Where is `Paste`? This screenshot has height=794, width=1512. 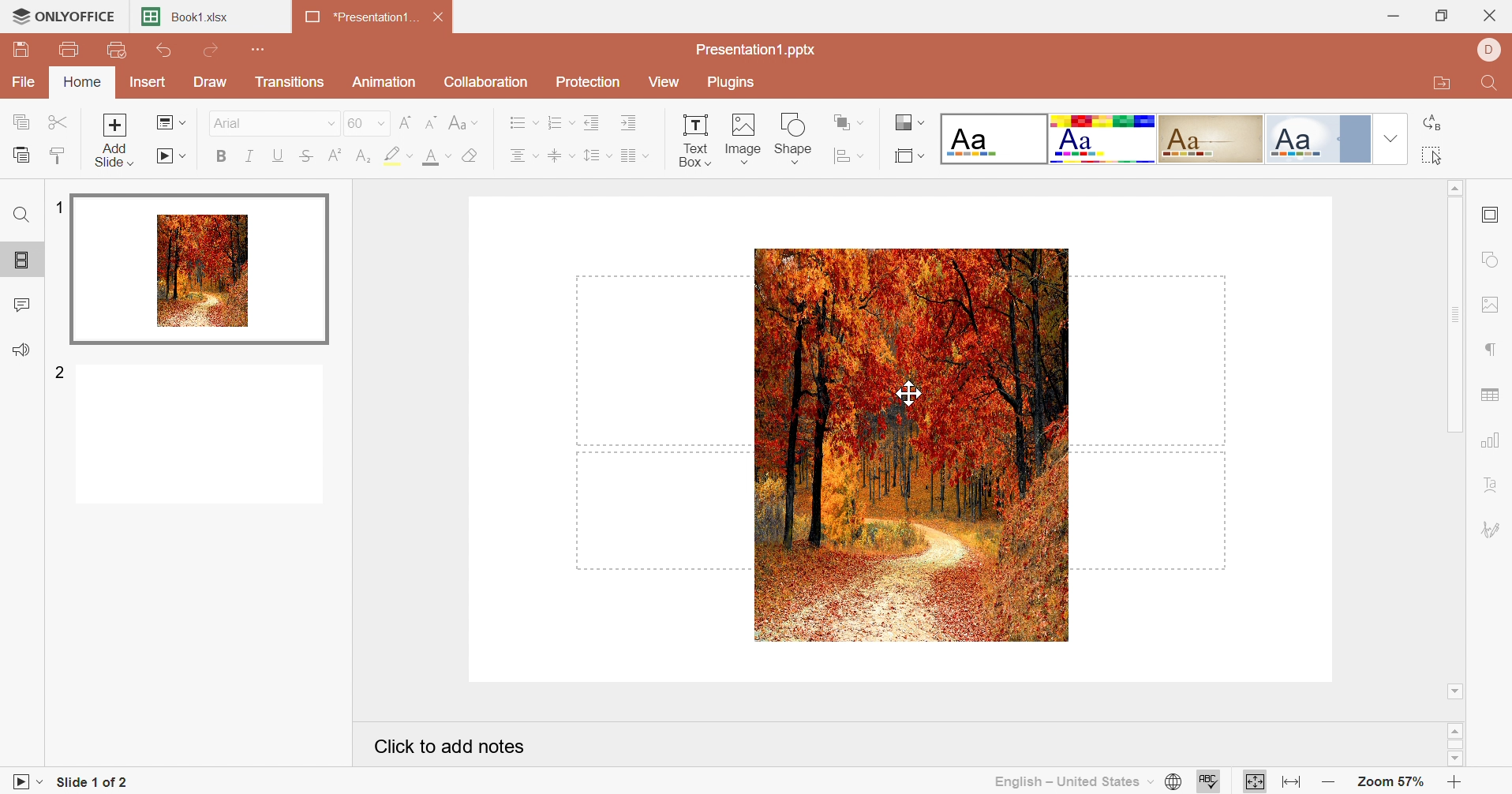 Paste is located at coordinates (23, 154).